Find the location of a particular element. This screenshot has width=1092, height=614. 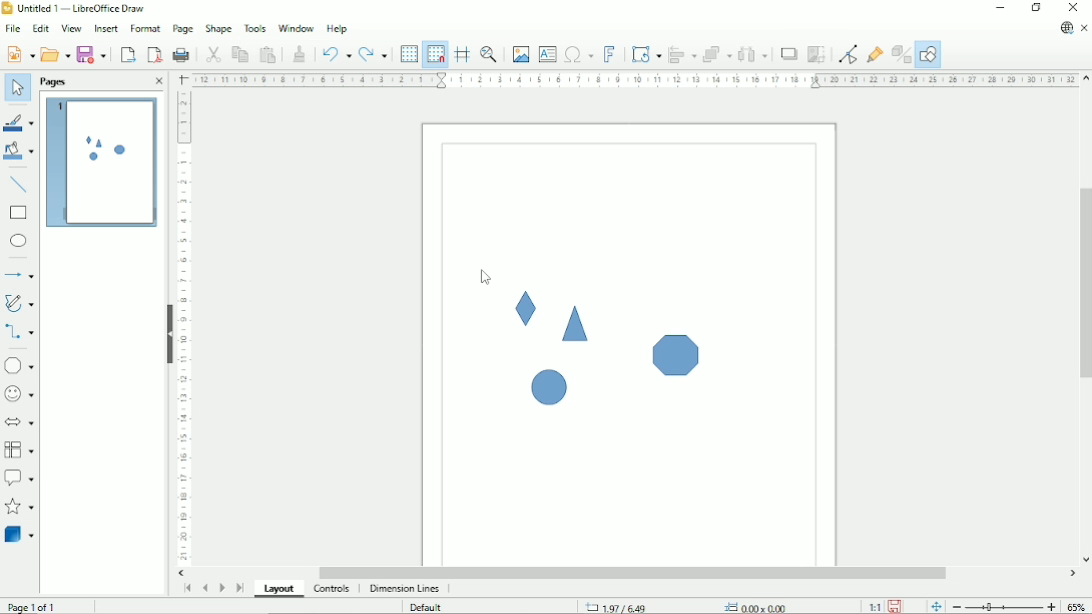

Shape is located at coordinates (218, 28).